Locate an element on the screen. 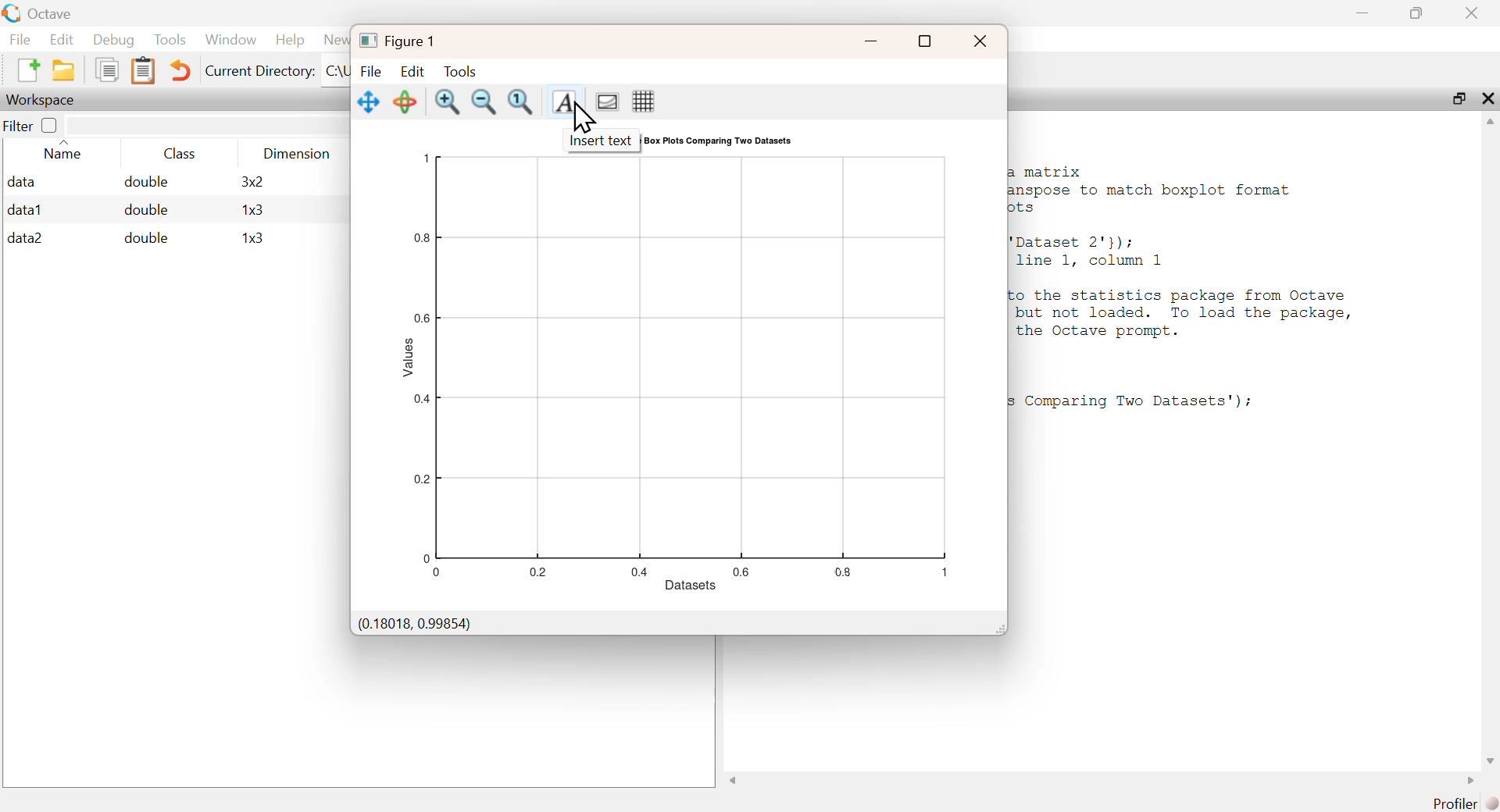 Image resolution: width=1500 pixels, height=812 pixels. Insert Text is located at coordinates (562, 100).